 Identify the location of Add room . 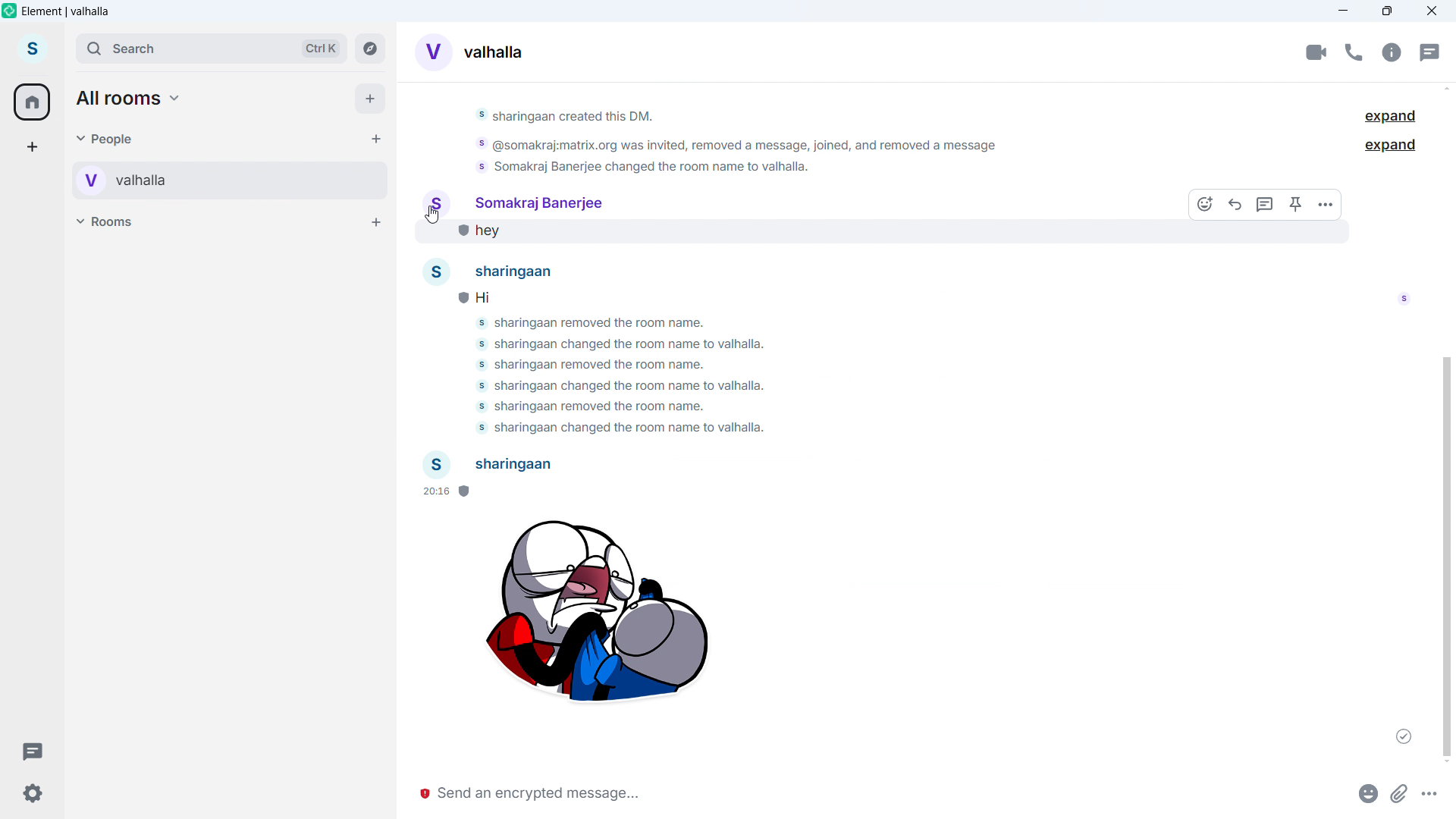
(375, 221).